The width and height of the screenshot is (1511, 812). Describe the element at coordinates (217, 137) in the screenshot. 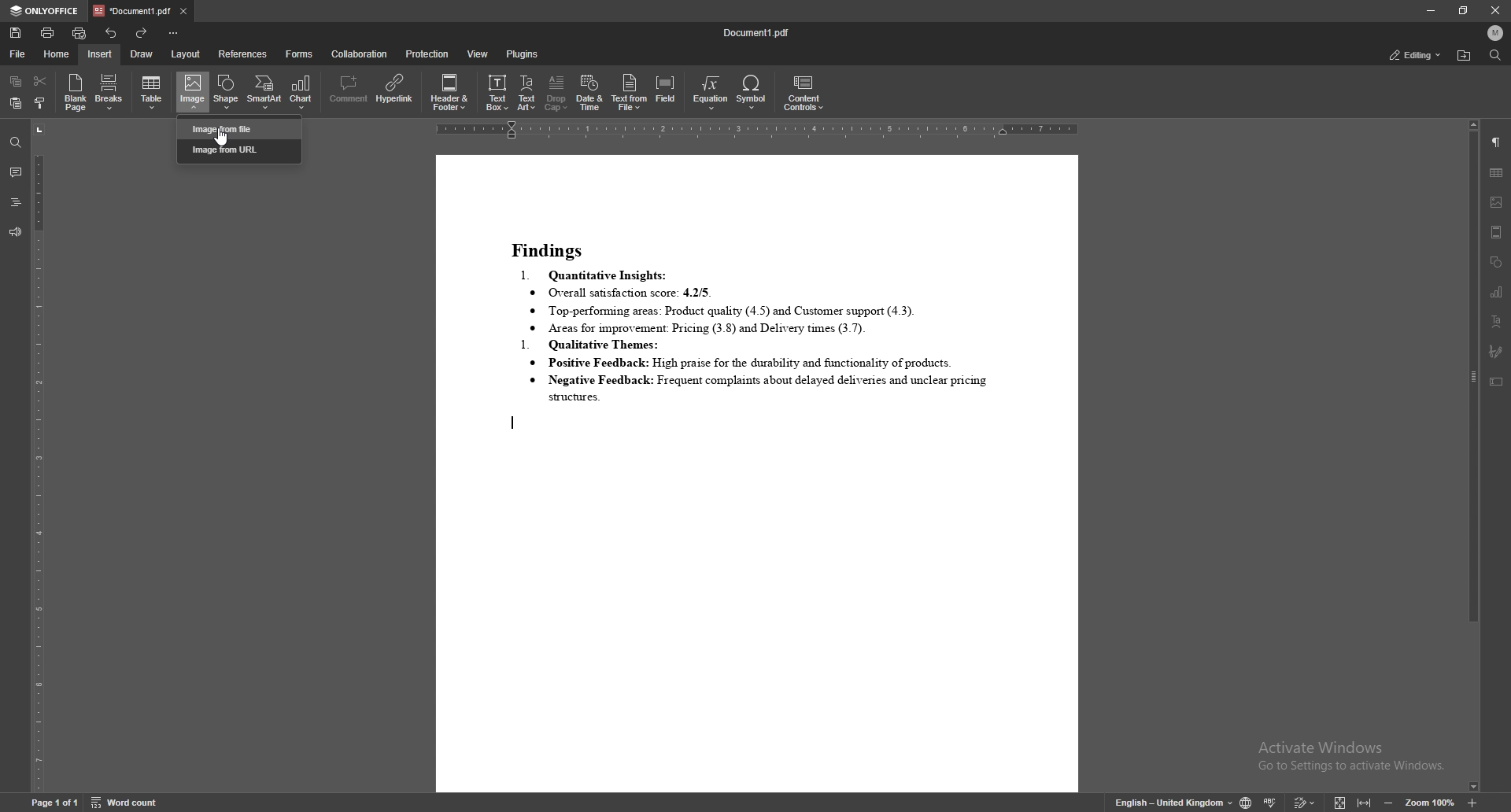

I see `cursor` at that location.